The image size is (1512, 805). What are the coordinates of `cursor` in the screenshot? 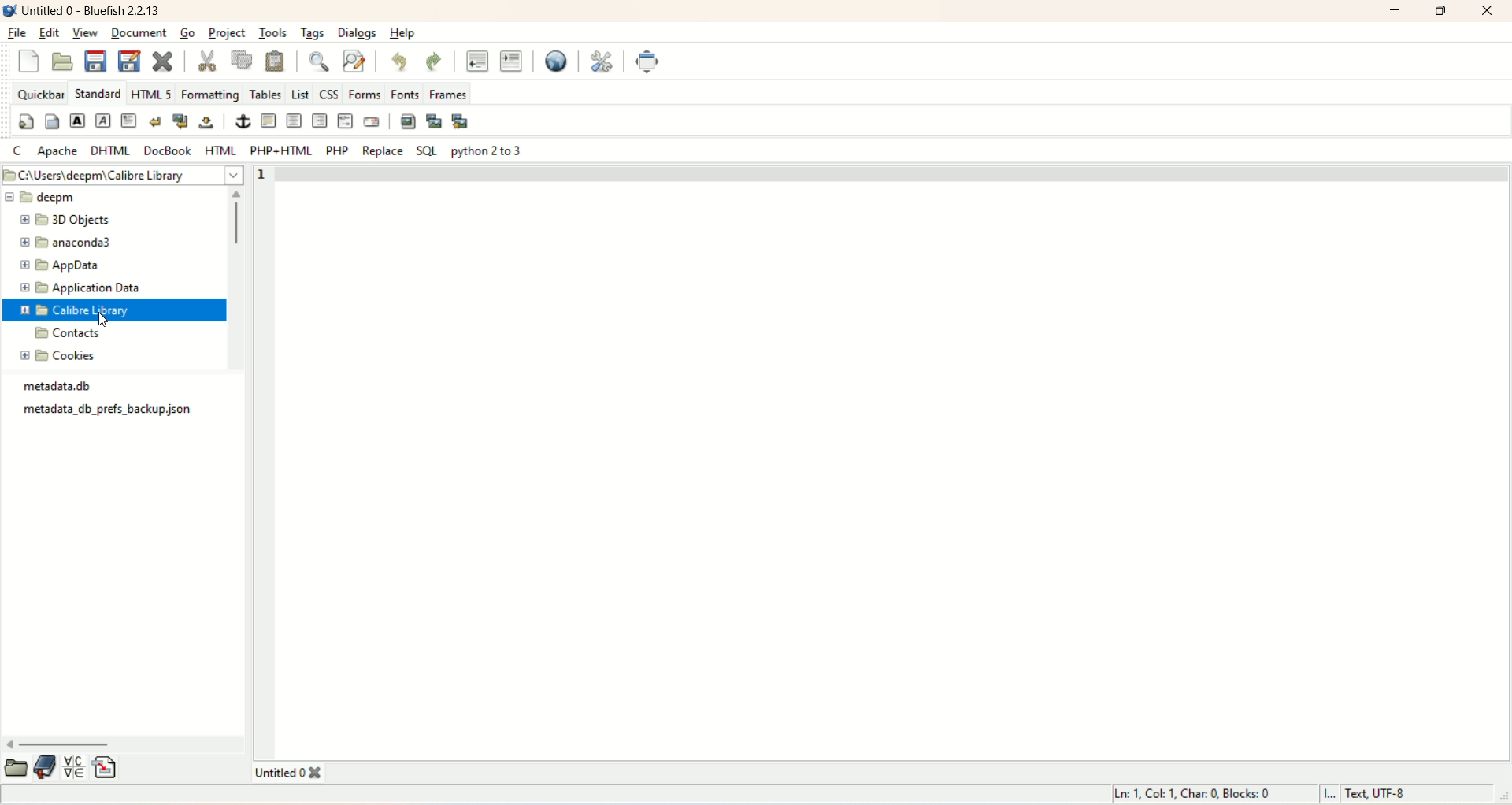 It's located at (107, 322).